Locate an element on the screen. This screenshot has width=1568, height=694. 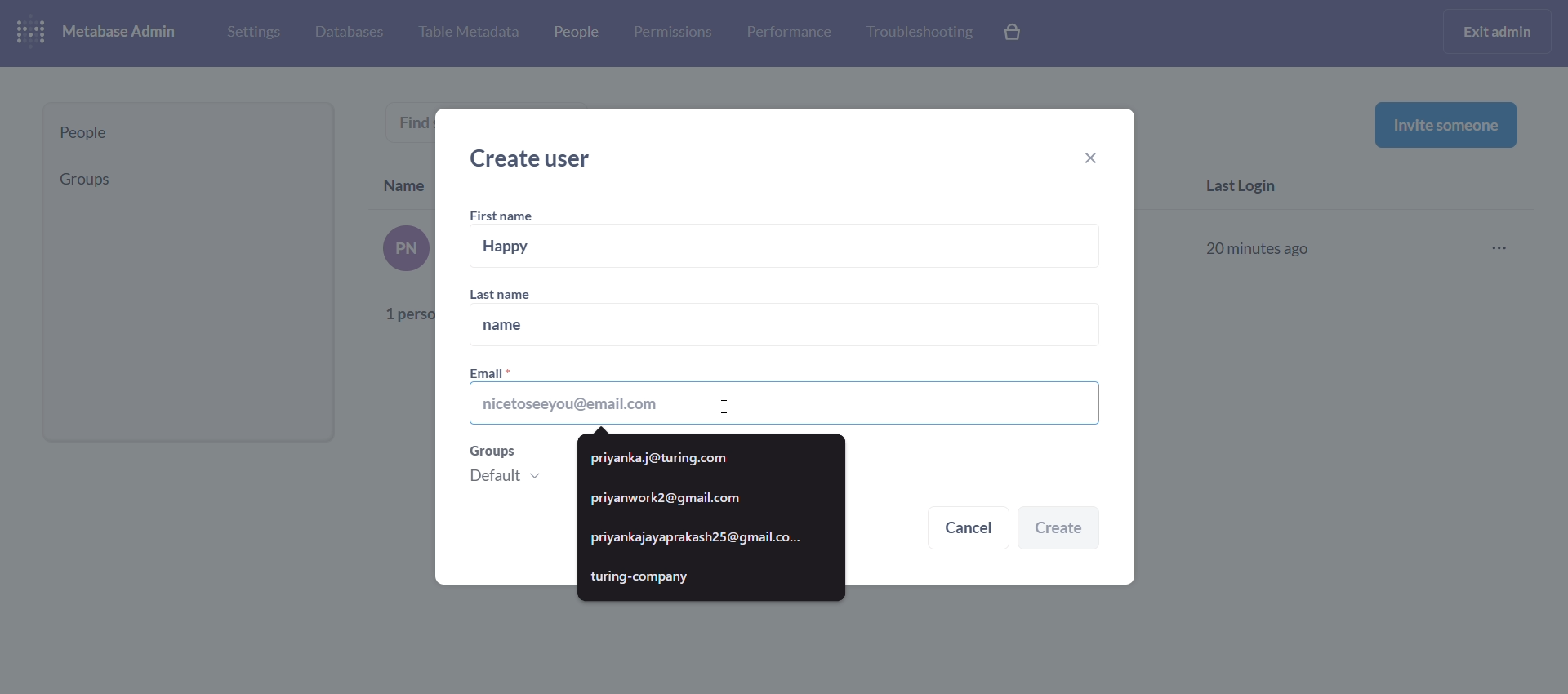
performance is located at coordinates (789, 31).